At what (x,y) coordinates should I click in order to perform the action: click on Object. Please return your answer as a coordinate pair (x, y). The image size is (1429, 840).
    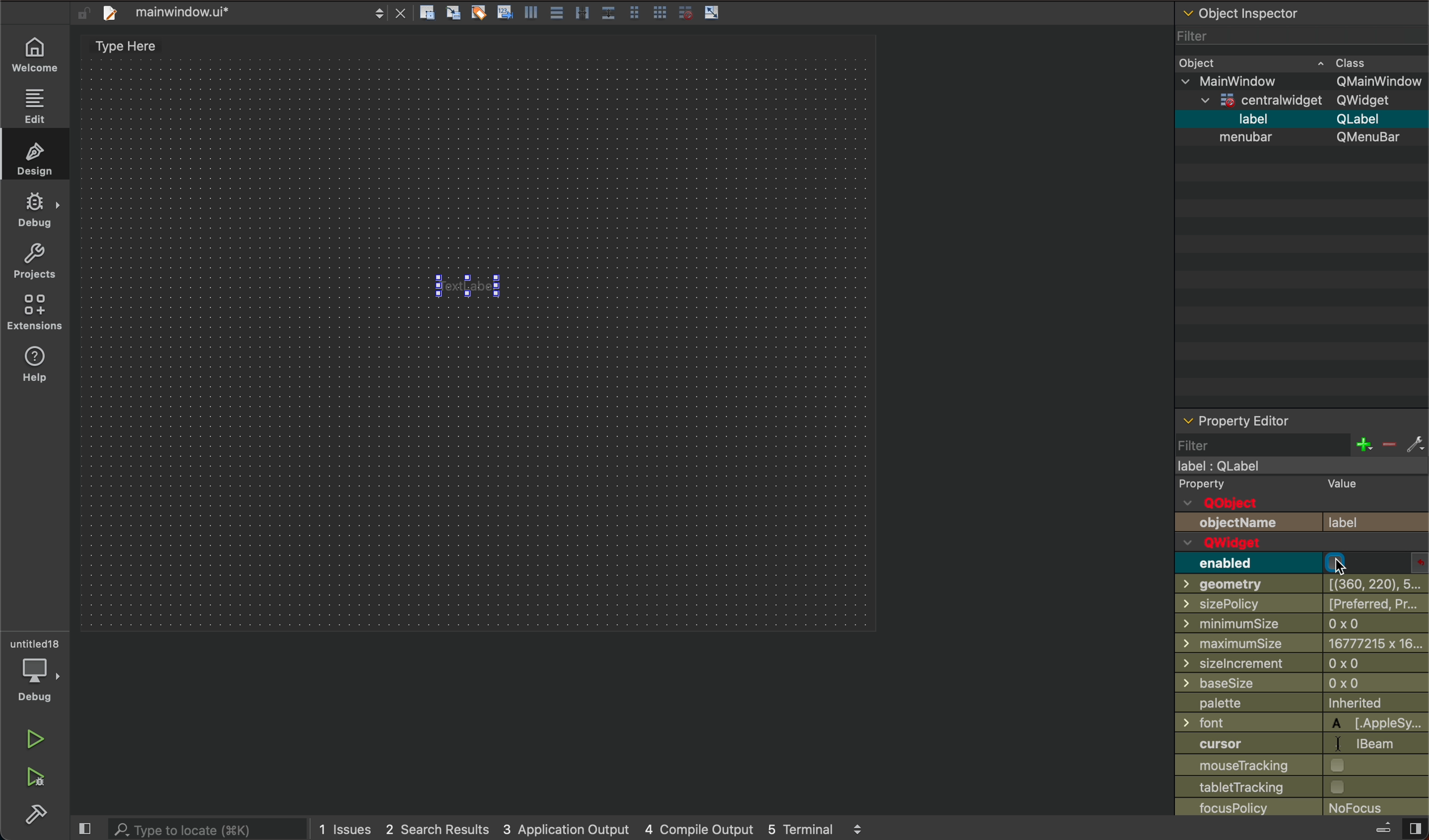
    Looking at the image, I should click on (1200, 61).